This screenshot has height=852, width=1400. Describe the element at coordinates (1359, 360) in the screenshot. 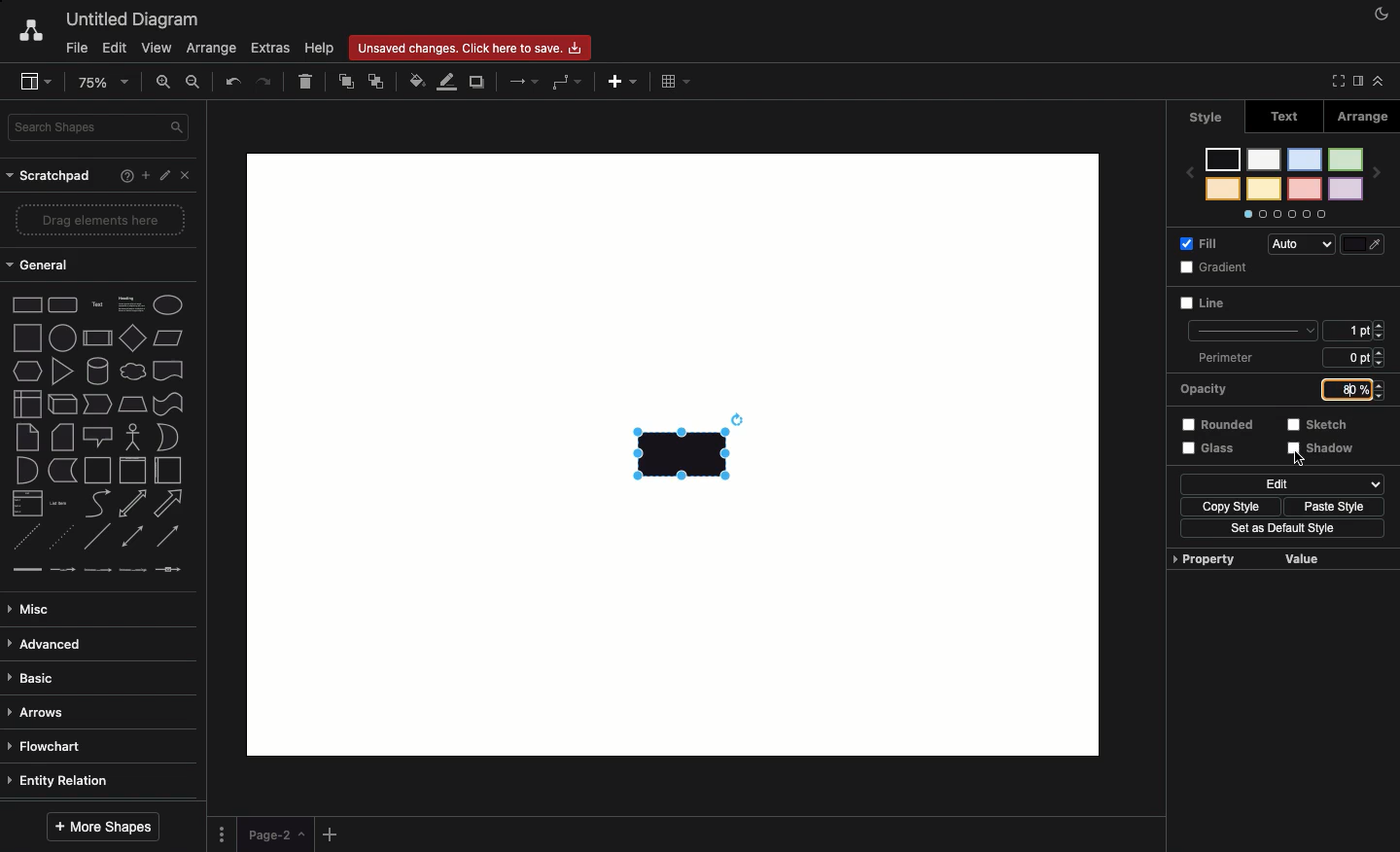

I see `6 ppt` at that location.